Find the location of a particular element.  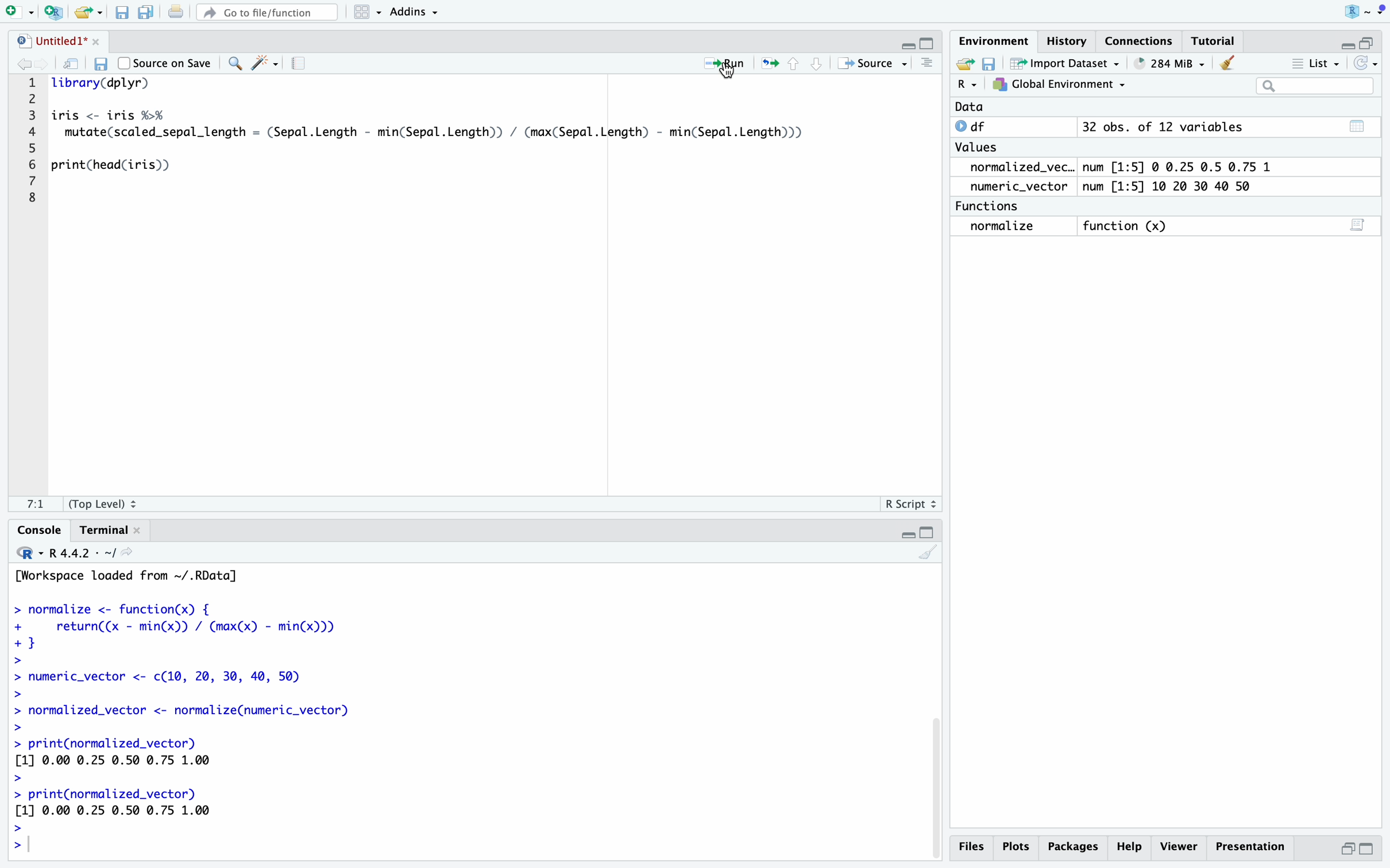

Data is located at coordinates (970, 107).